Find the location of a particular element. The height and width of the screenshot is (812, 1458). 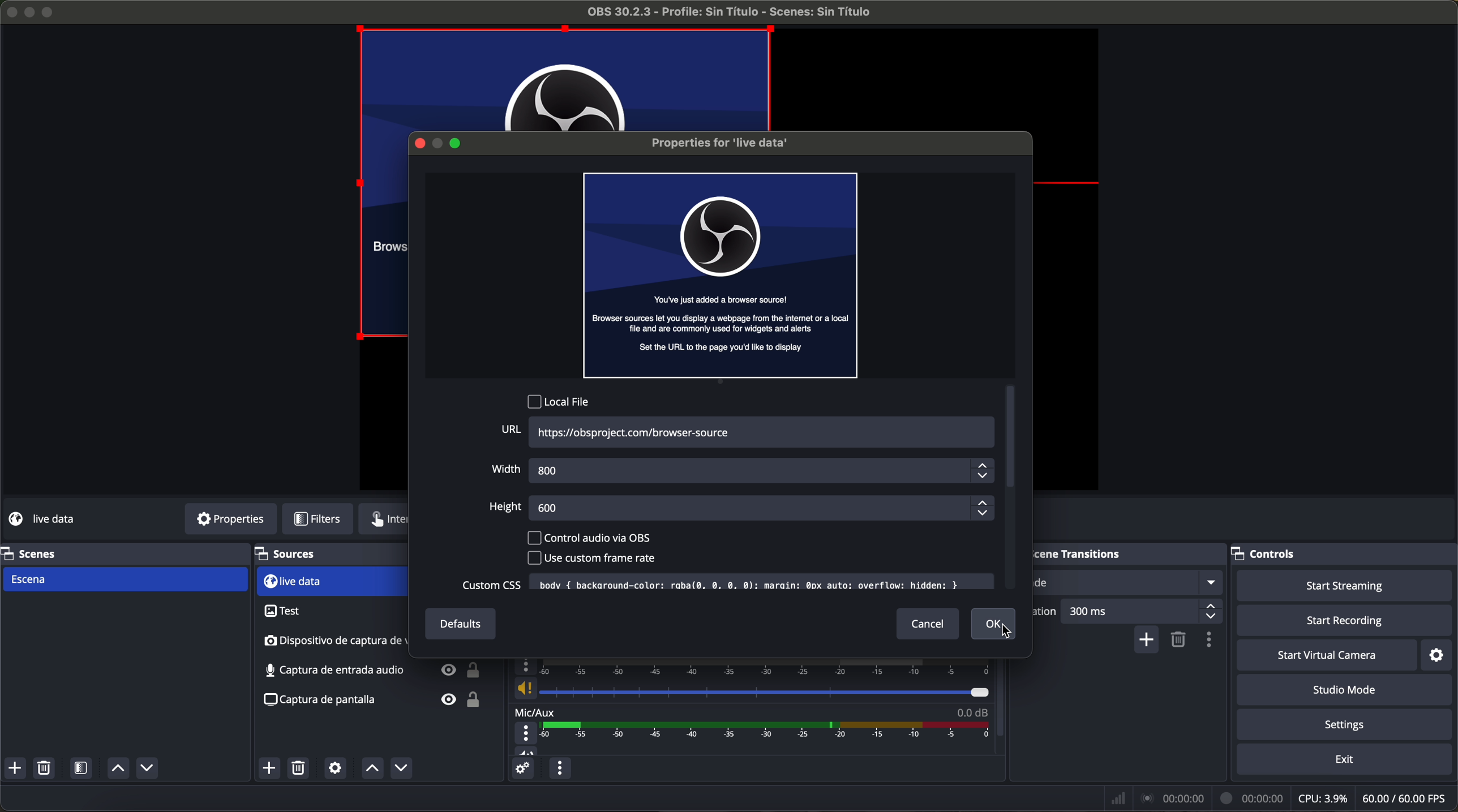

remove selected scene is located at coordinates (1179, 641).